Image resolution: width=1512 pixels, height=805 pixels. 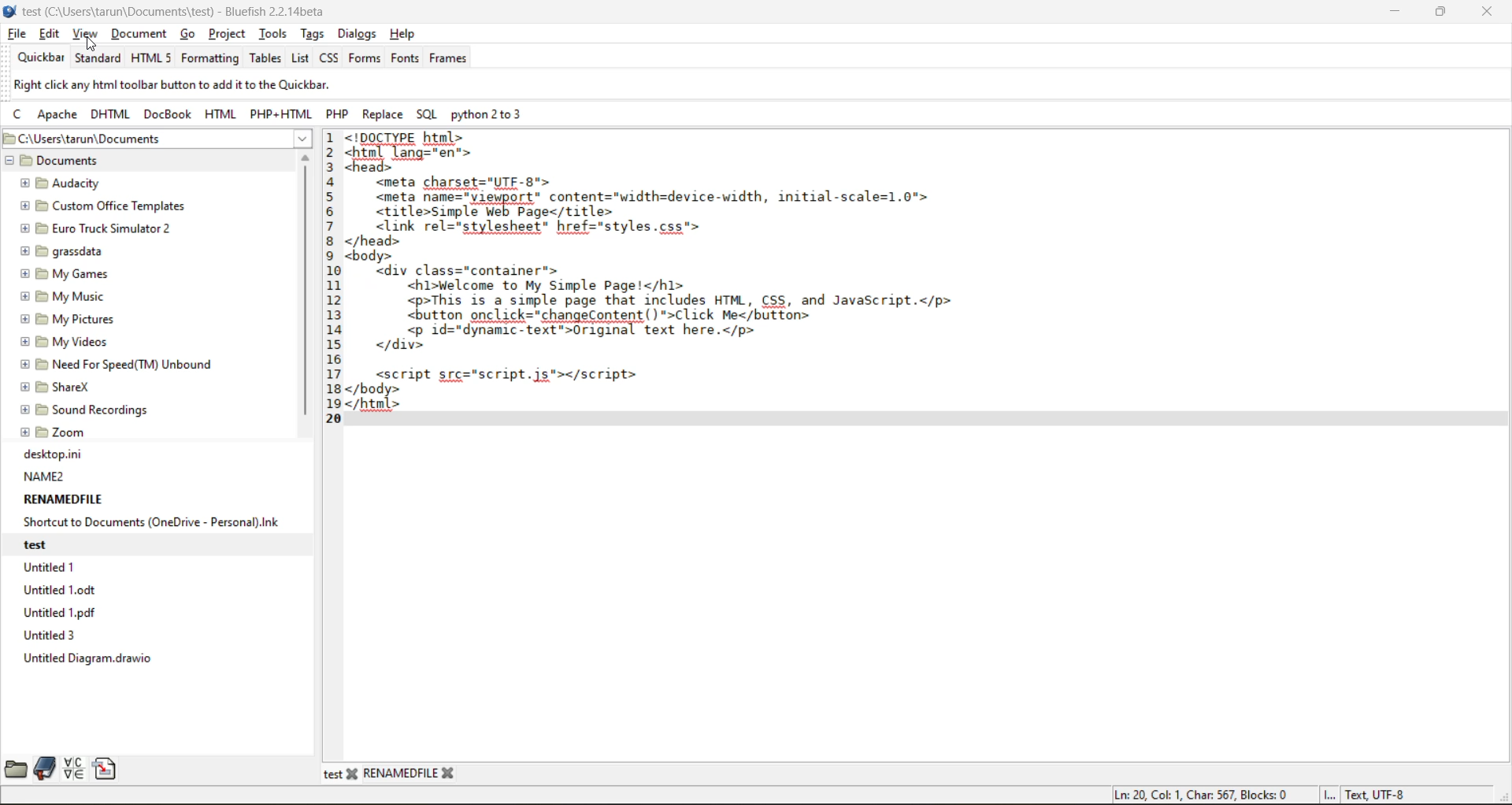 What do you see at coordinates (76, 161) in the screenshot?
I see `documents` at bounding box center [76, 161].